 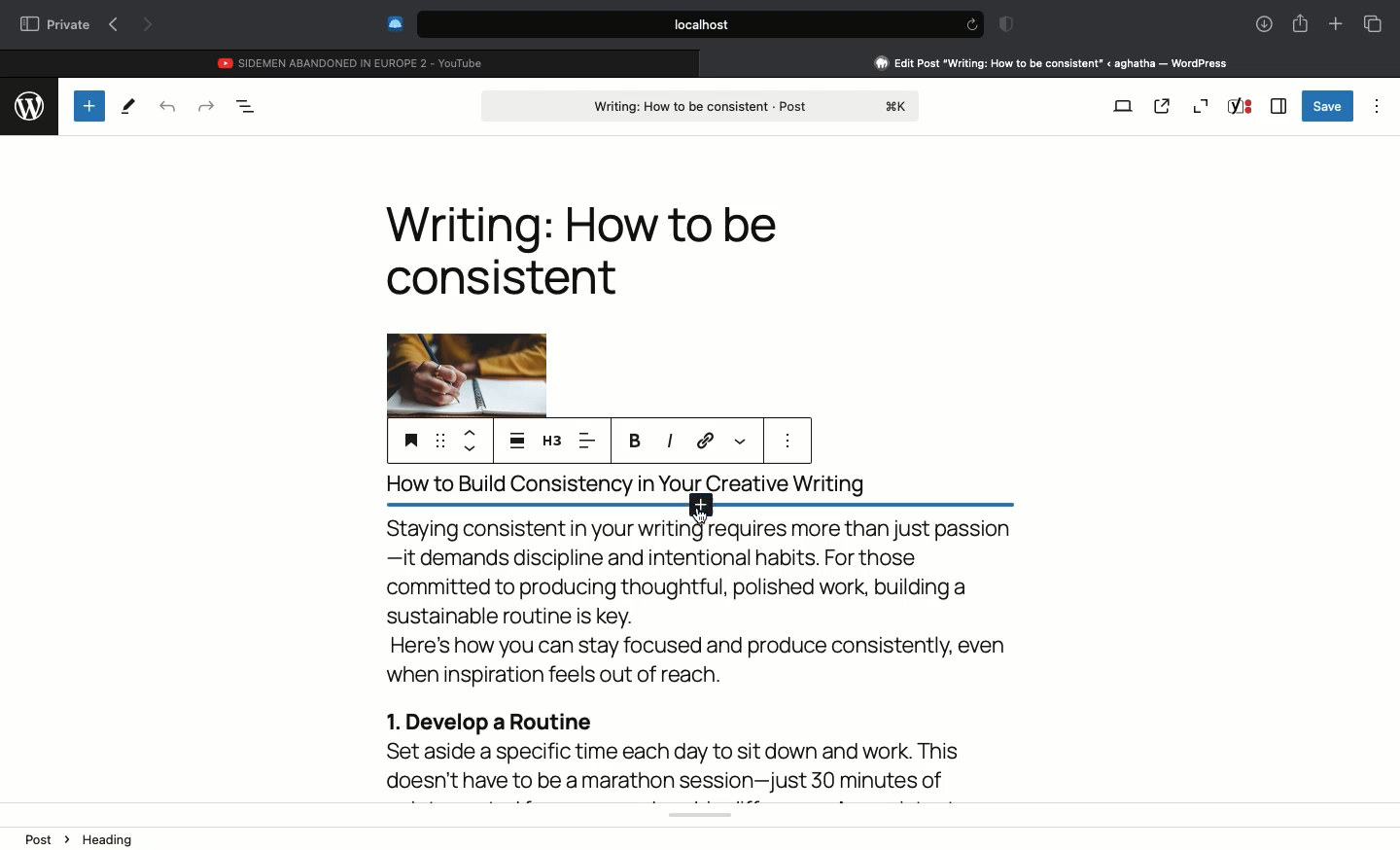 I want to click on Body, so click(x=711, y=658).